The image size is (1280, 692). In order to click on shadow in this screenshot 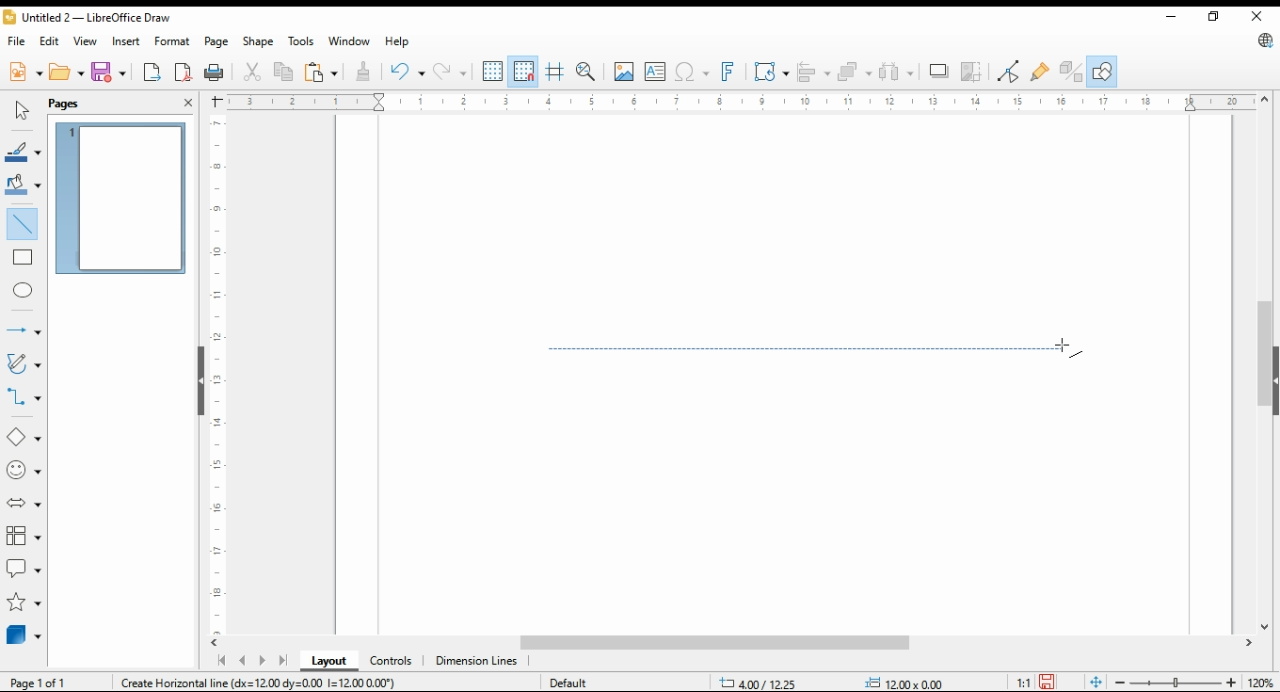, I will do `click(939, 71)`.